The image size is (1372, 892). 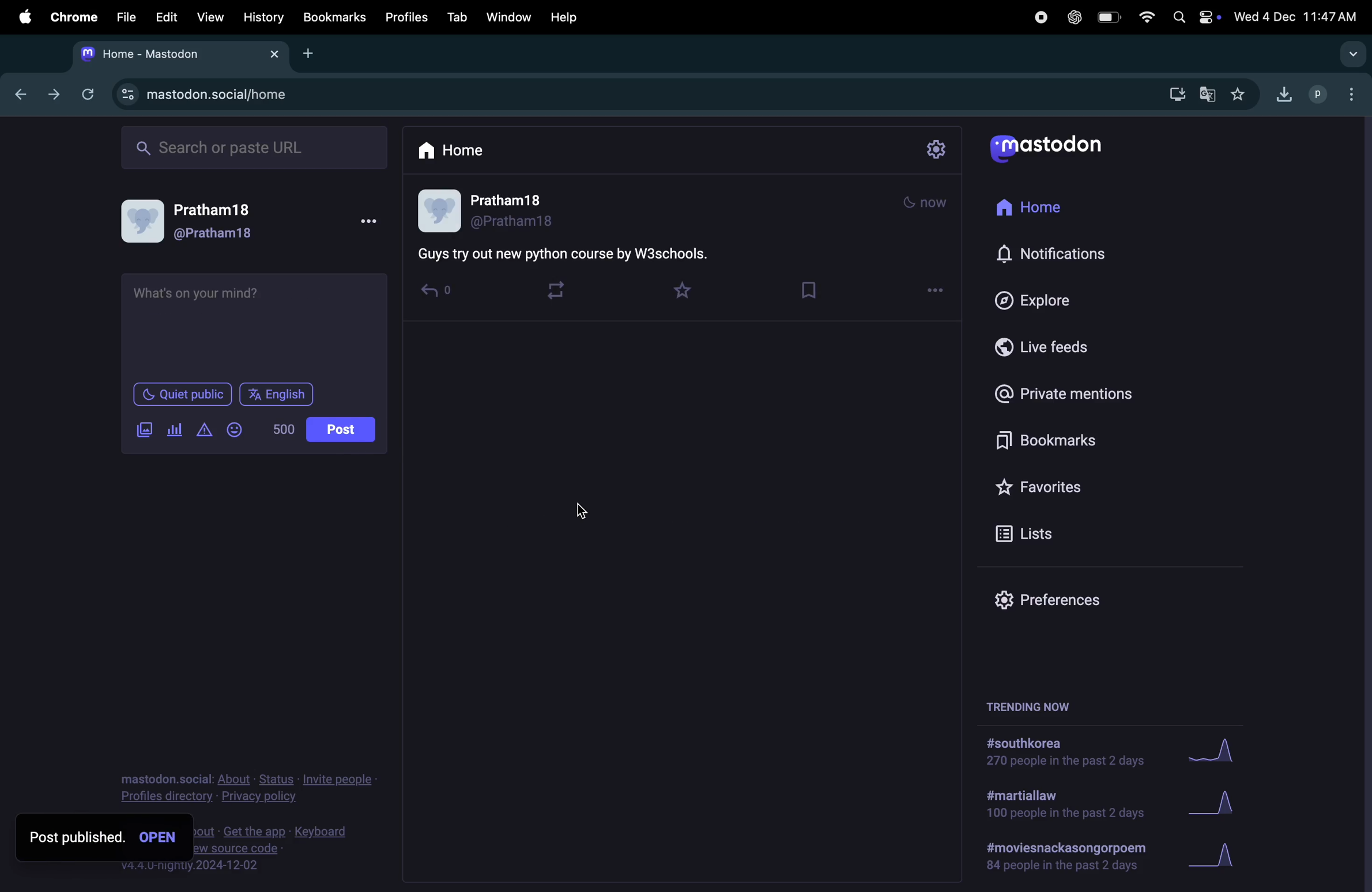 I want to click on source code, so click(x=276, y=849).